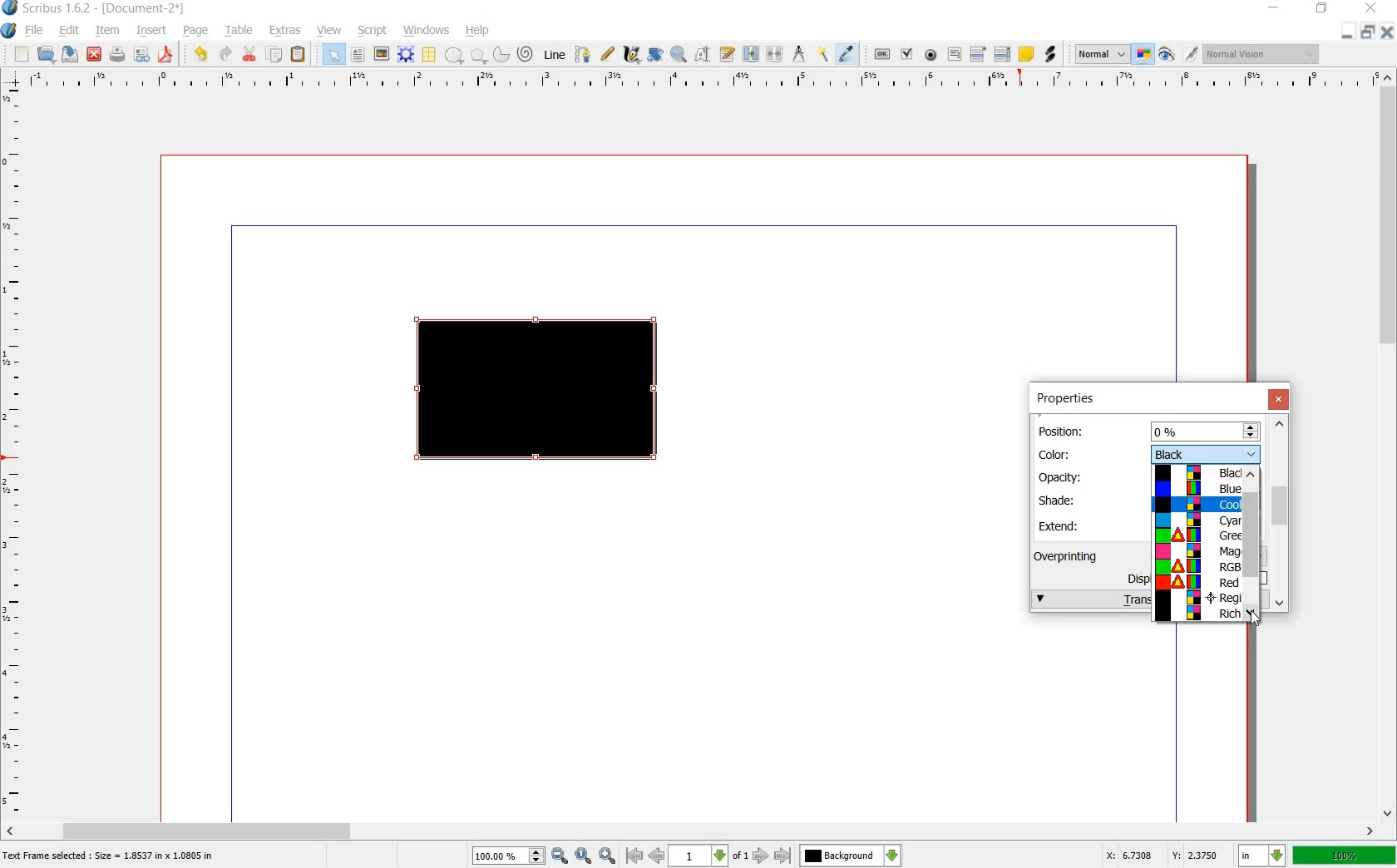 The height and width of the screenshot is (868, 1397). What do you see at coordinates (426, 31) in the screenshot?
I see `windows` at bounding box center [426, 31].